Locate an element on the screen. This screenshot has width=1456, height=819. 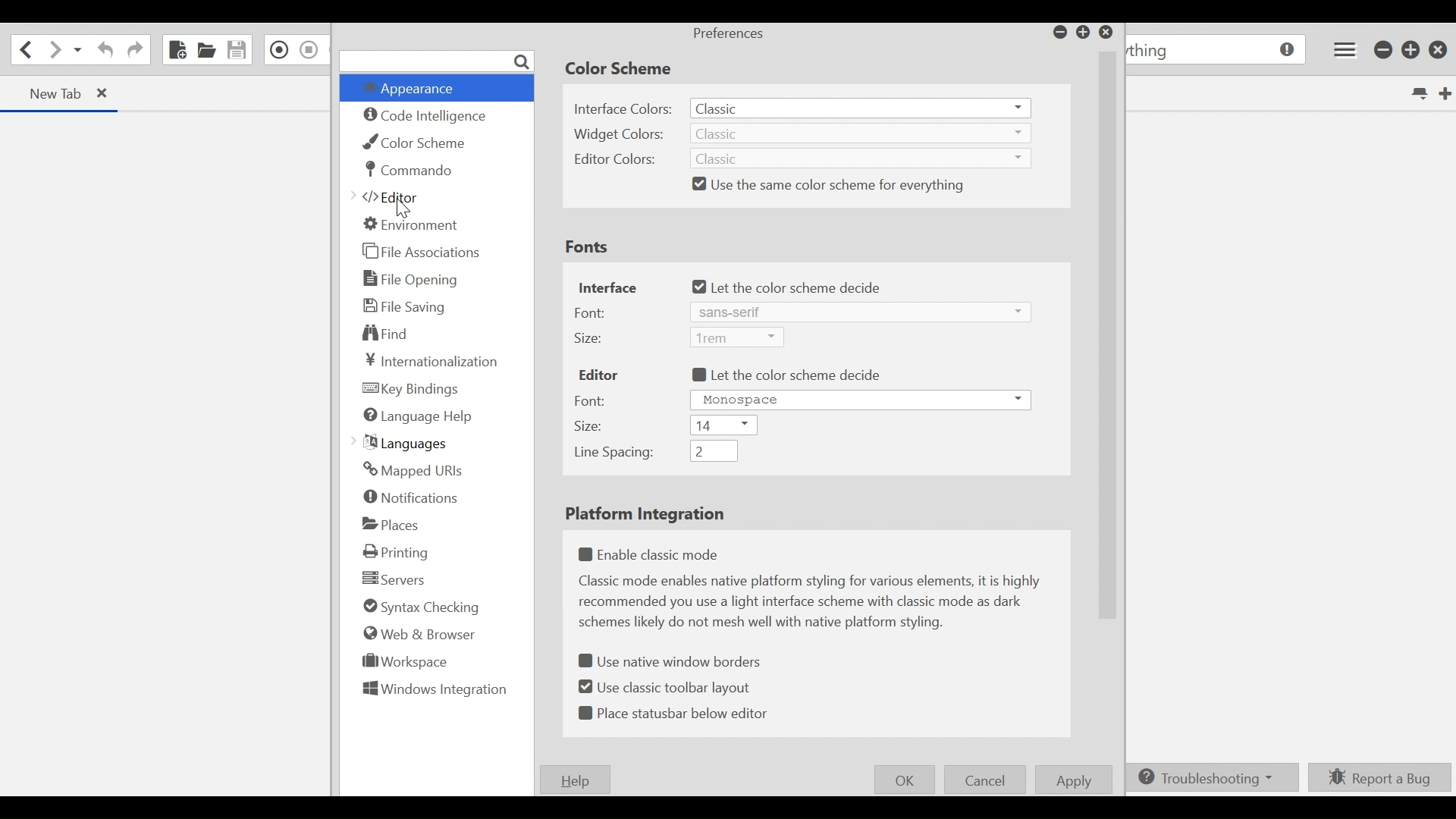
Size dropdown menu is located at coordinates (723, 424).